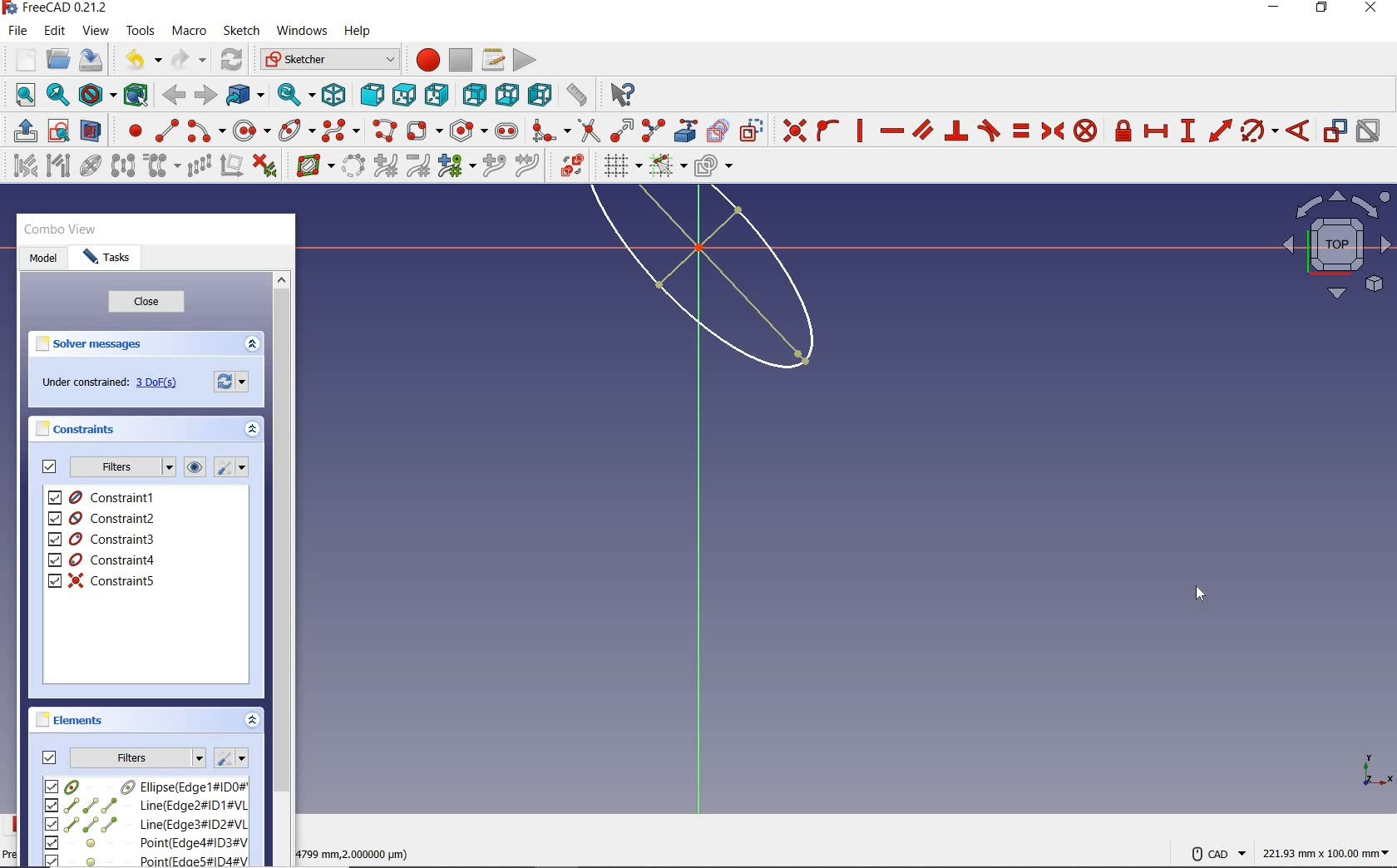 Image resolution: width=1397 pixels, height=868 pixels. What do you see at coordinates (752, 130) in the screenshot?
I see `toggle construction geometry` at bounding box center [752, 130].